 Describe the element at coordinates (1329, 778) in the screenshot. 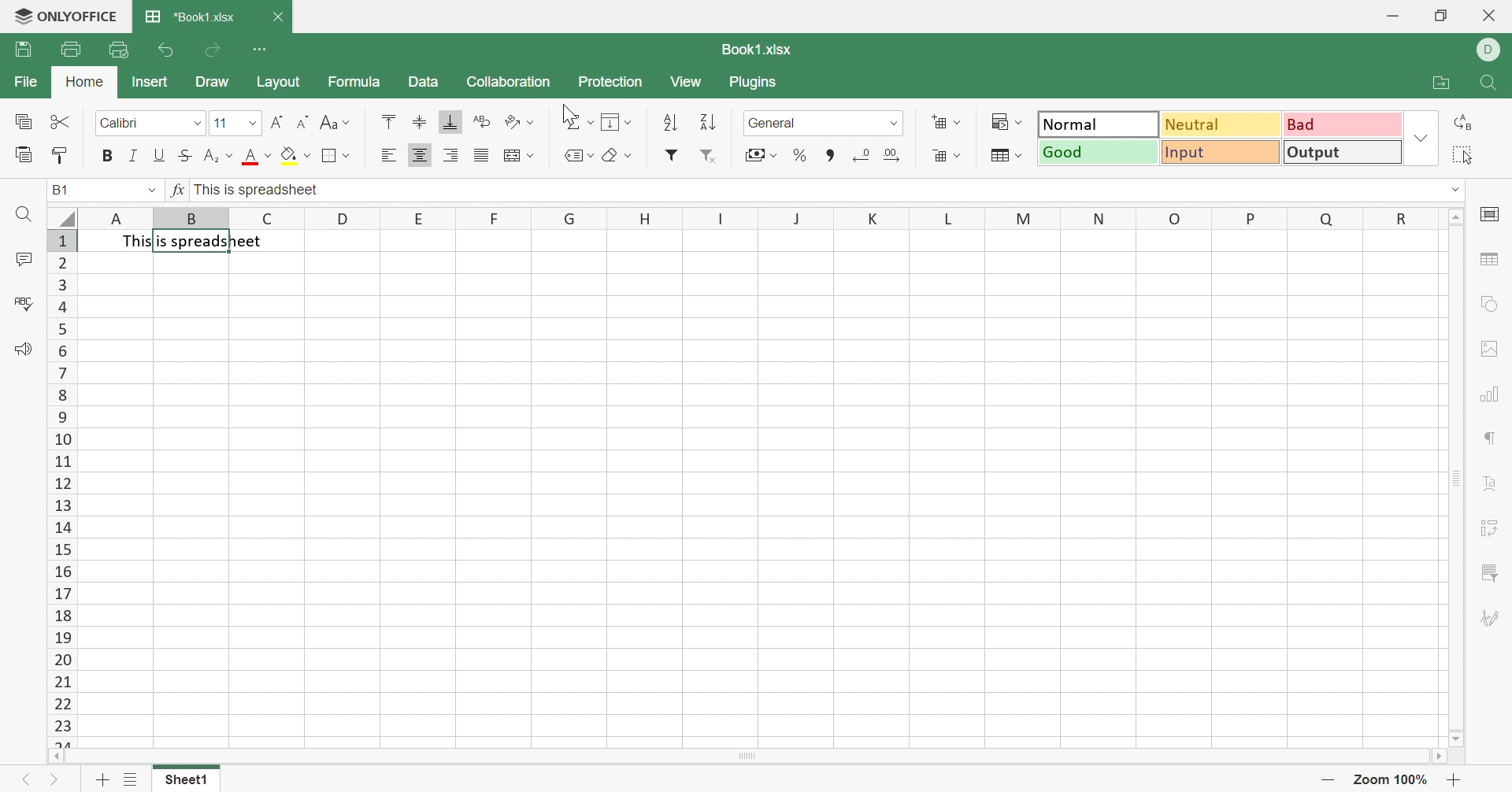

I see `Zoom Out` at that location.